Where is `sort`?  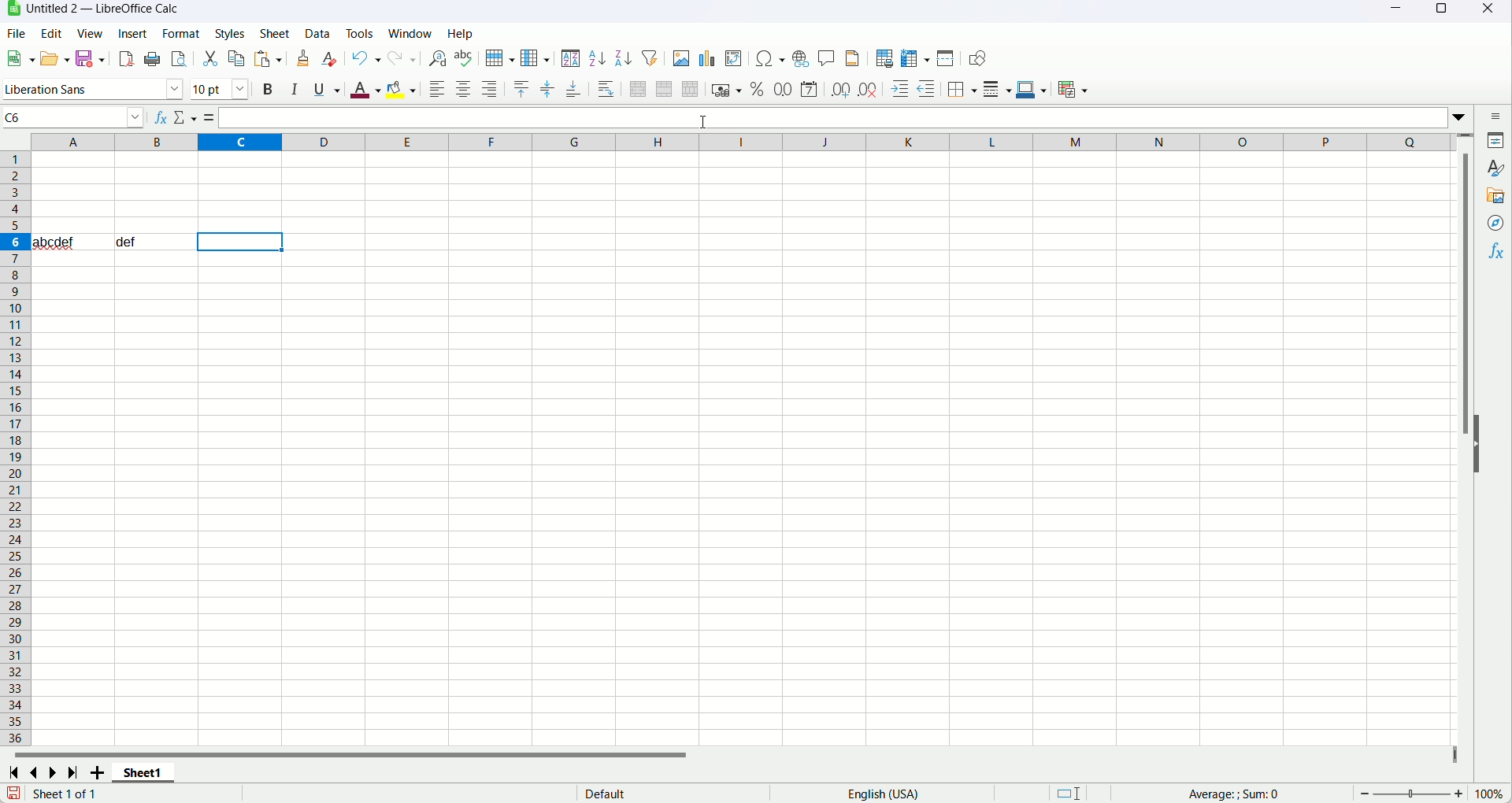 sort is located at coordinates (572, 60).